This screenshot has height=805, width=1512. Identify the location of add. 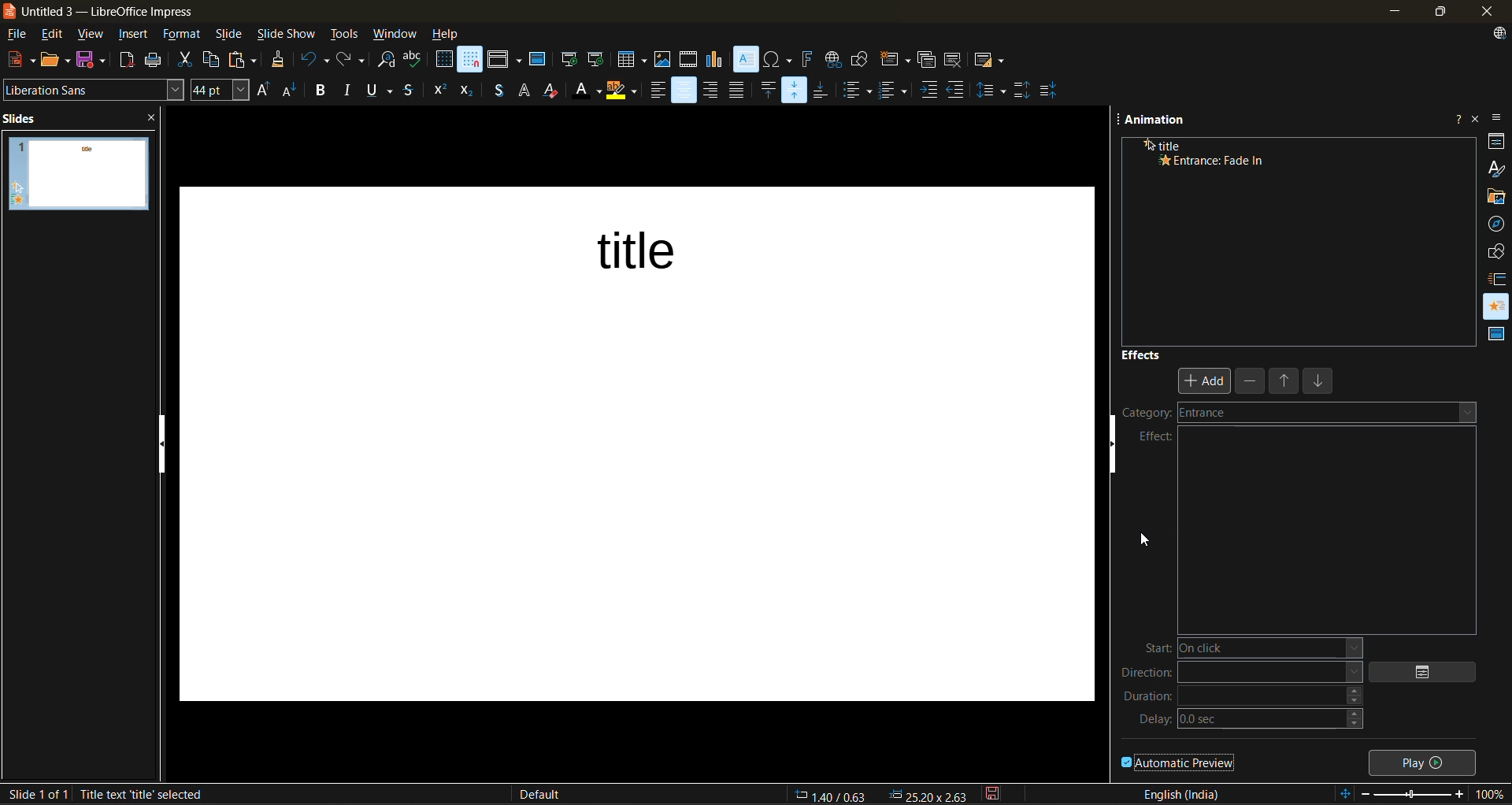
(1206, 380).